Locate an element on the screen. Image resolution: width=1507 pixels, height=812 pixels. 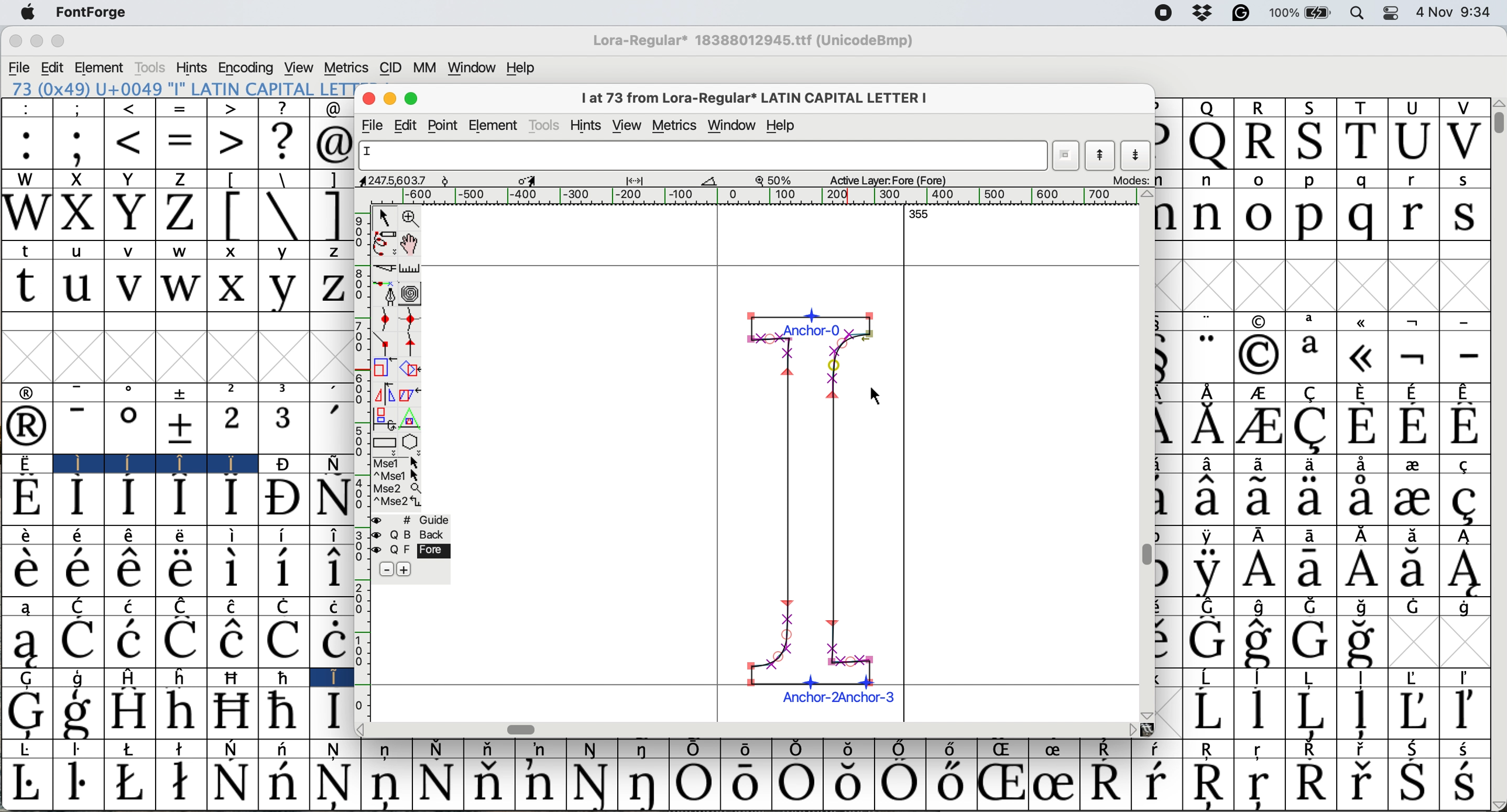
file is located at coordinates (18, 68).